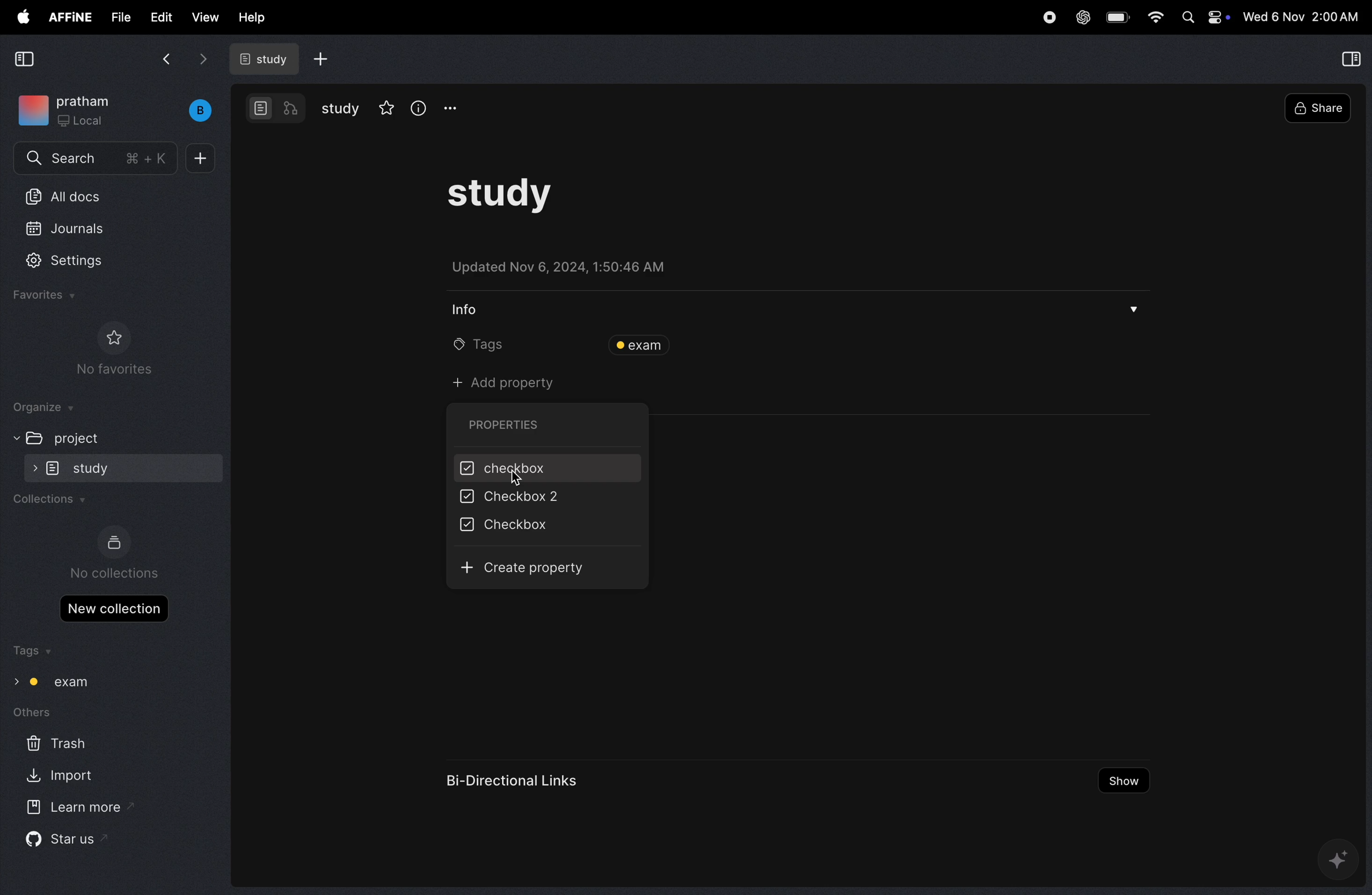  I want to click on learn more, so click(82, 808).